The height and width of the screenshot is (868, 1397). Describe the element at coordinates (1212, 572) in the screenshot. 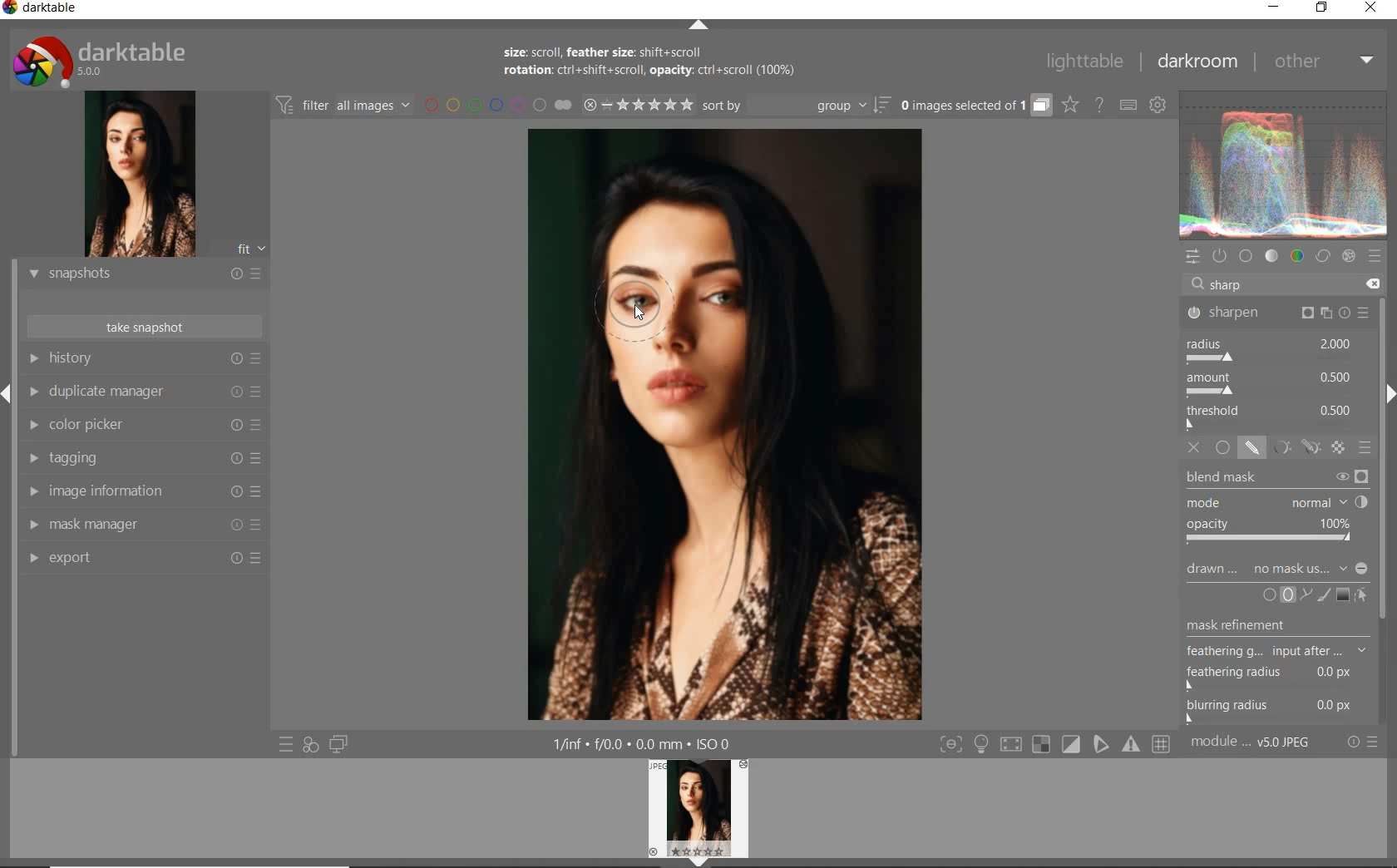

I see `drawn mask` at that location.